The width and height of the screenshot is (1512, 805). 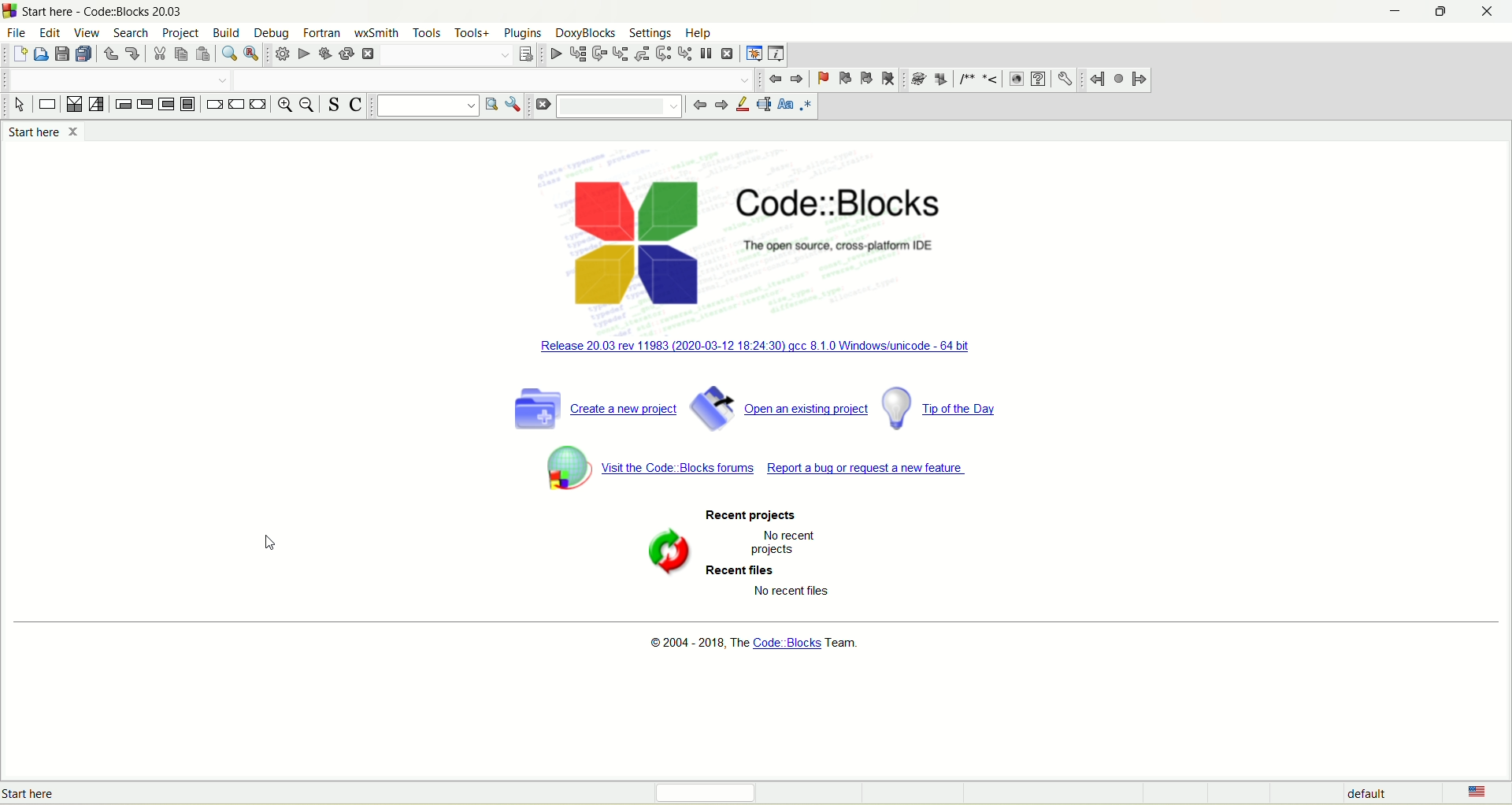 I want to click on open, so click(x=39, y=54).